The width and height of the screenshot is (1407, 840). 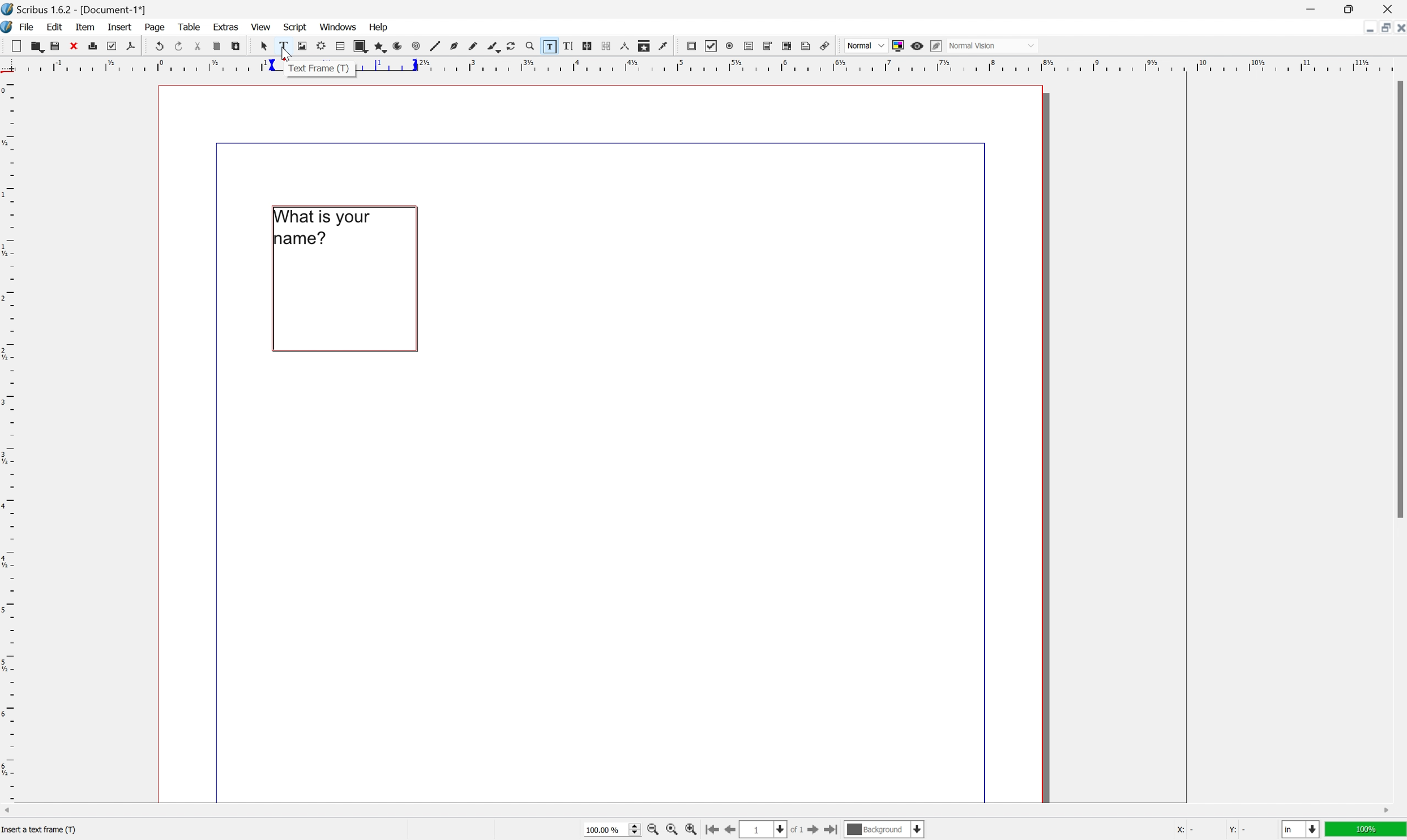 I want to click on pdf push button, so click(x=691, y=46).